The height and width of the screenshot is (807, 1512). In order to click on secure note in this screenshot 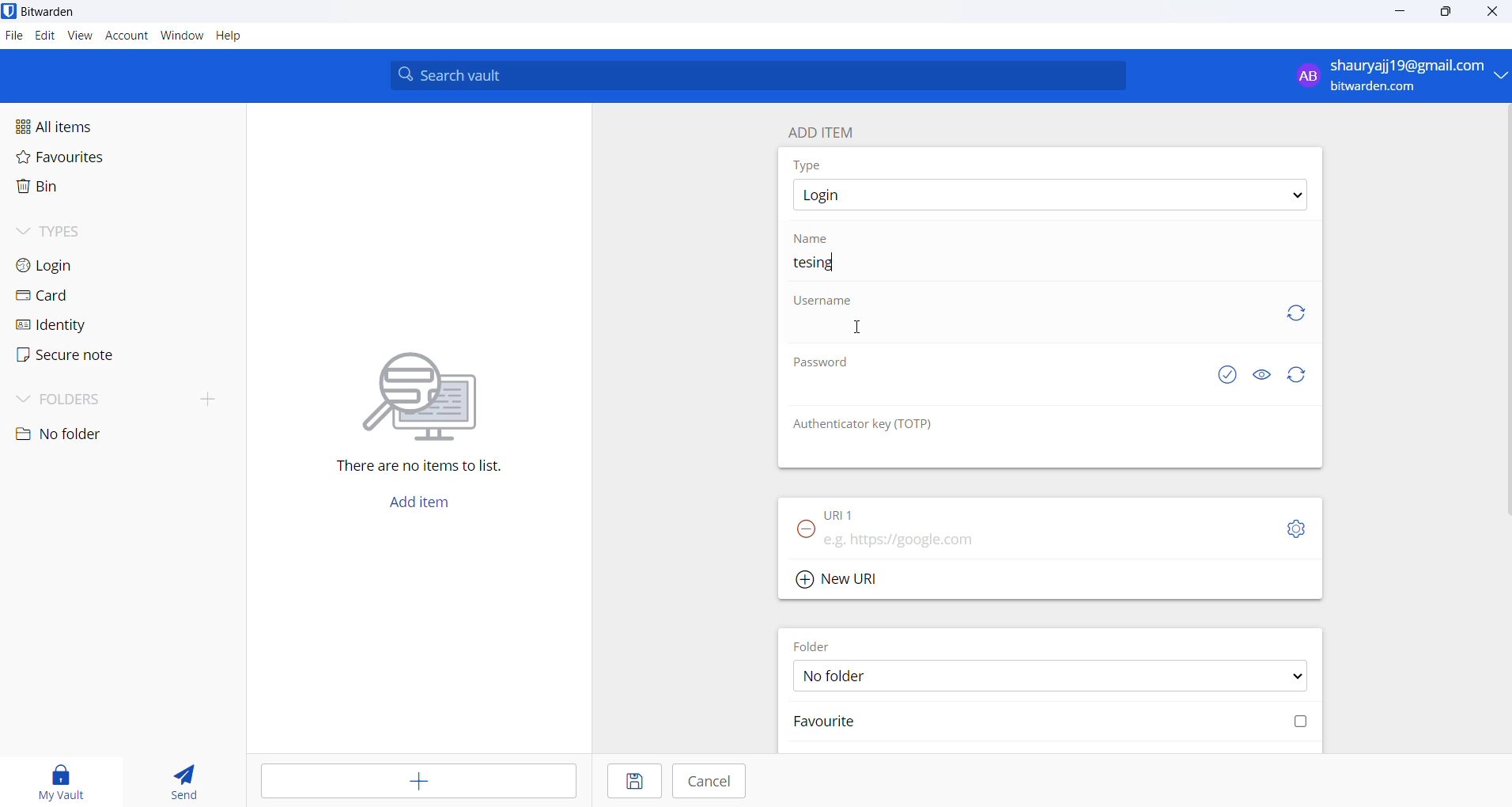, I will do `click(63, 355)`.